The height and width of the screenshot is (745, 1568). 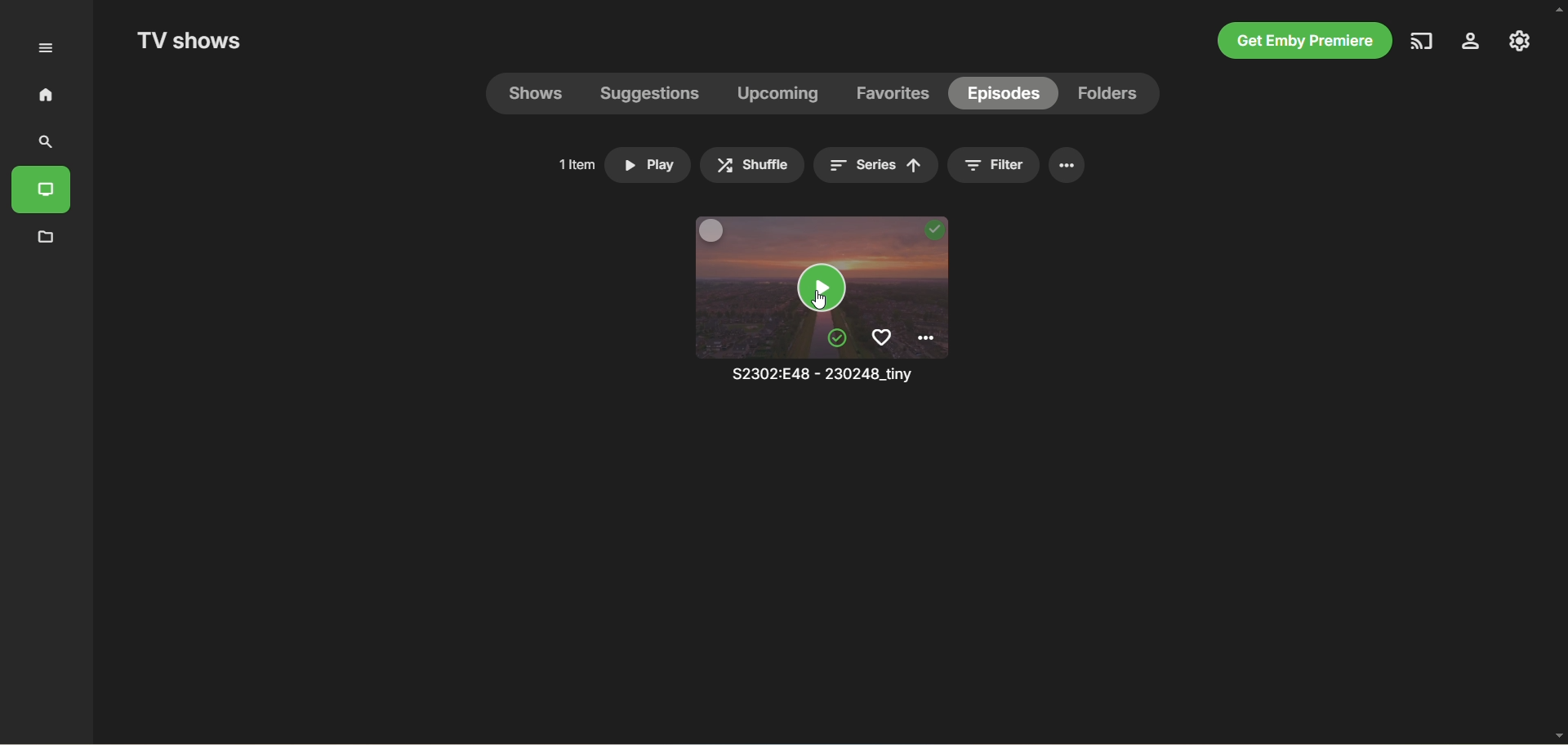 What do you see at coordinates (647, 165) in the screenshot?
I see `Play` at bounding box center [647, 165].